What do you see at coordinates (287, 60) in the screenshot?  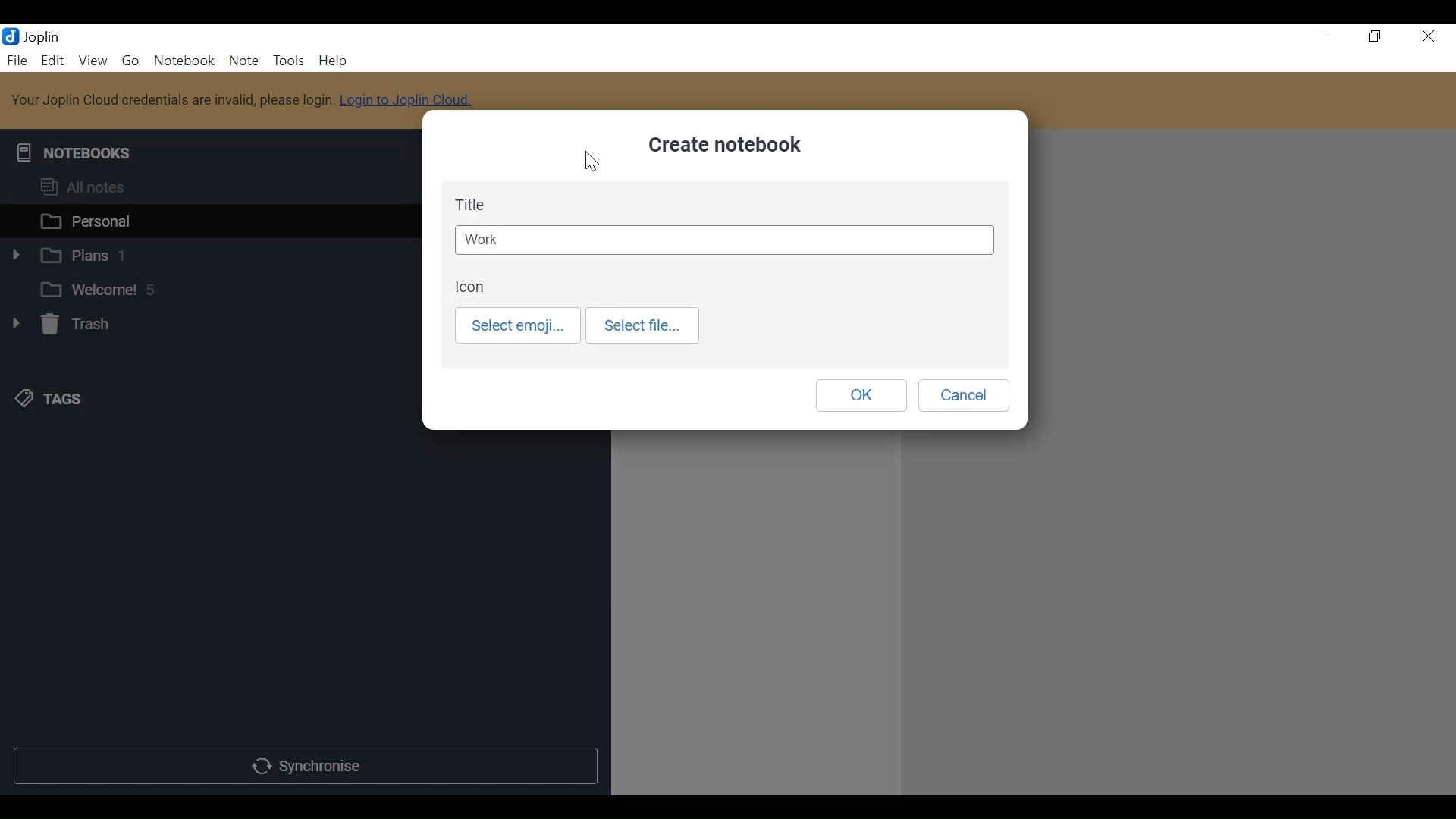 I see `Tools` at bounding box center [287, 60].